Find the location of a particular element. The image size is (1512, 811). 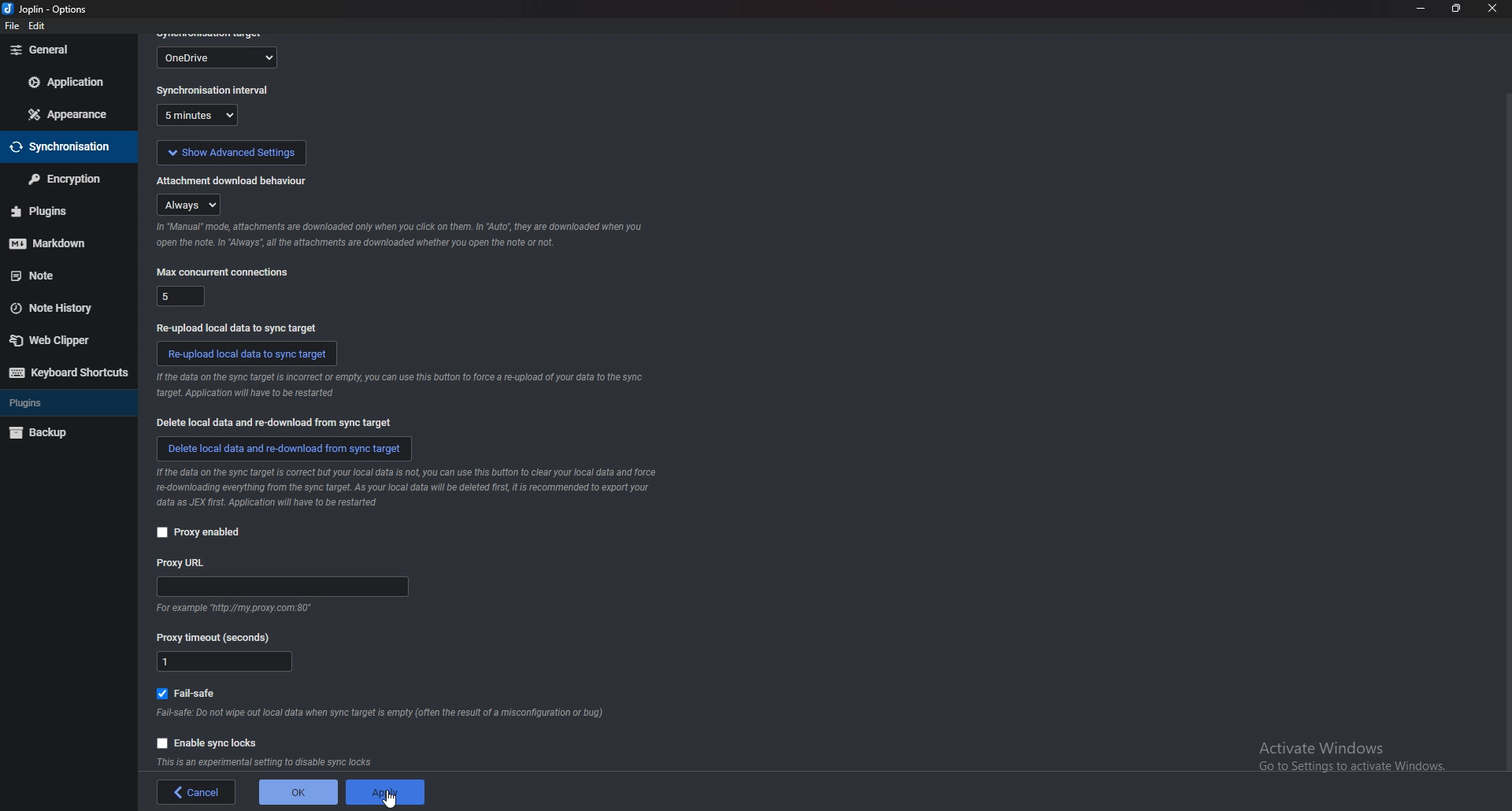

reupload local data is located at coordinates (248, 353).